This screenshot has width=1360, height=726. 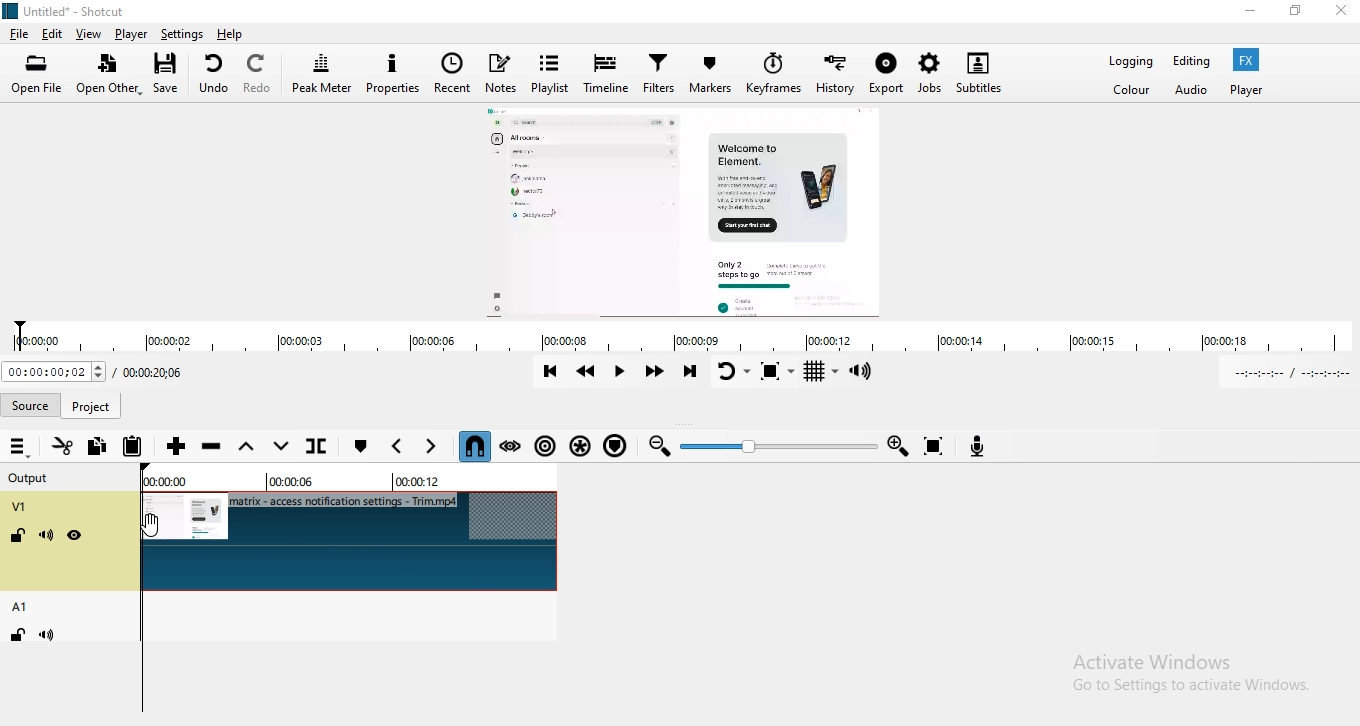 I want to click on View, so click(x=87, y=35).